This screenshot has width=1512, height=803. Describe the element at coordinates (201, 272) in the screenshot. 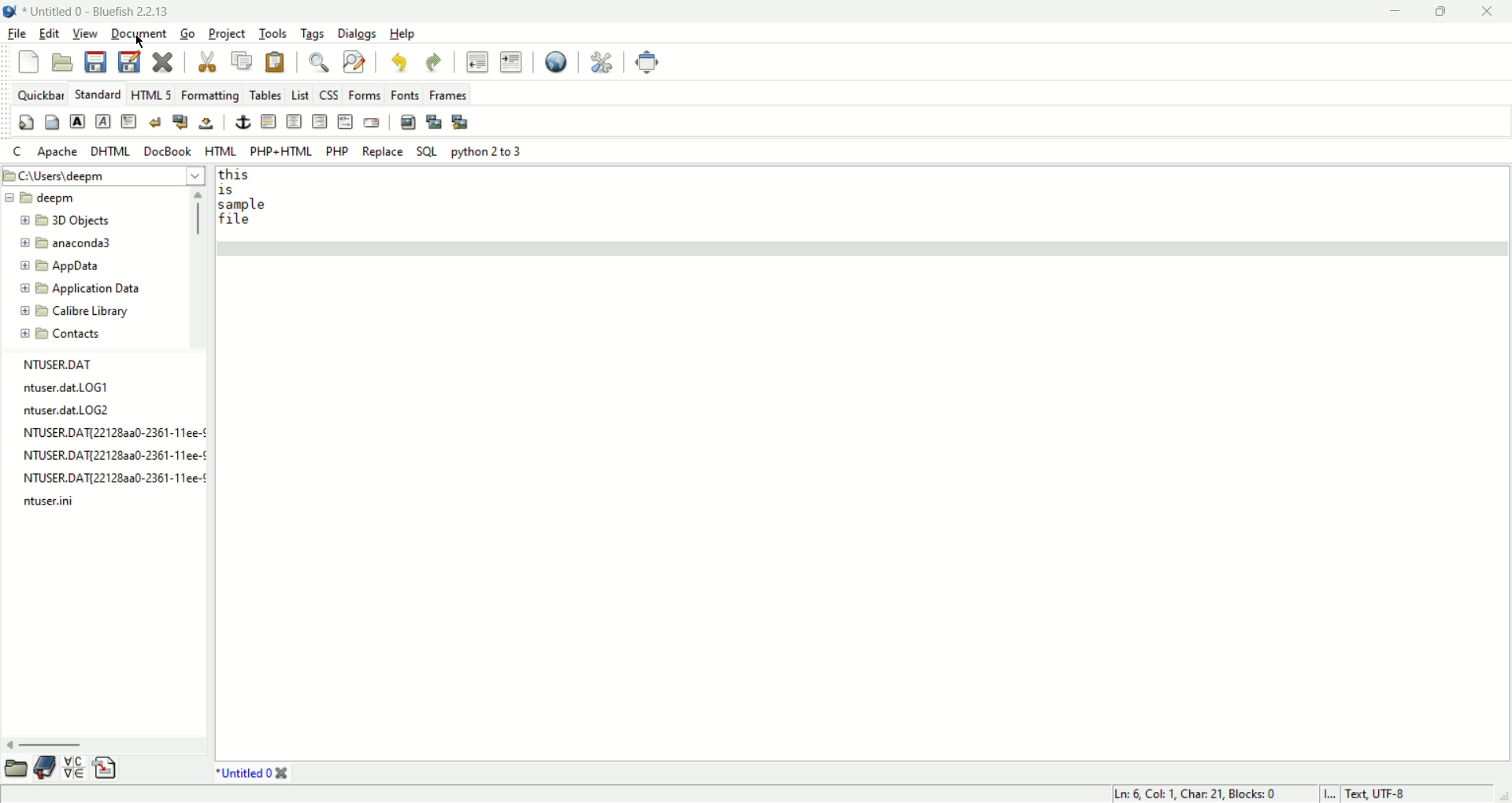

I see `vertical scroll bar` at that location.